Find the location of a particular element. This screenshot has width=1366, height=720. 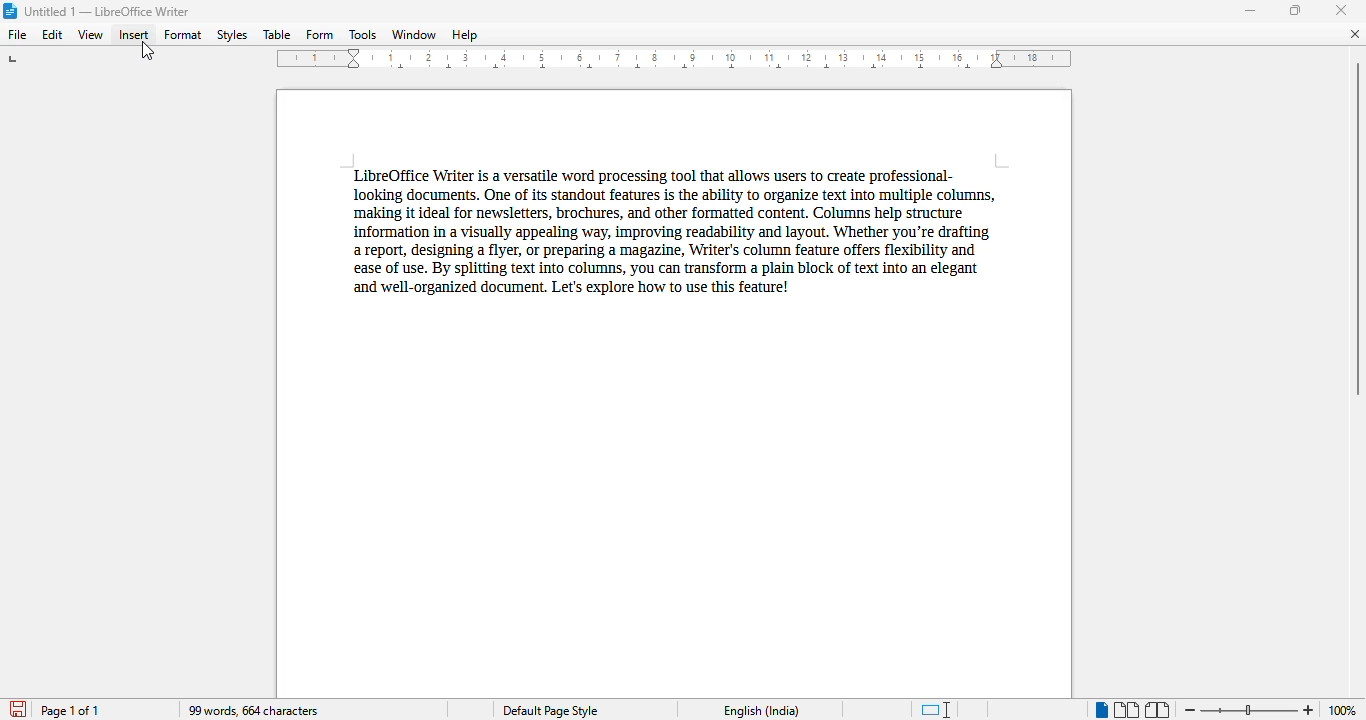

English (India) is located at coordinates (762, 711).